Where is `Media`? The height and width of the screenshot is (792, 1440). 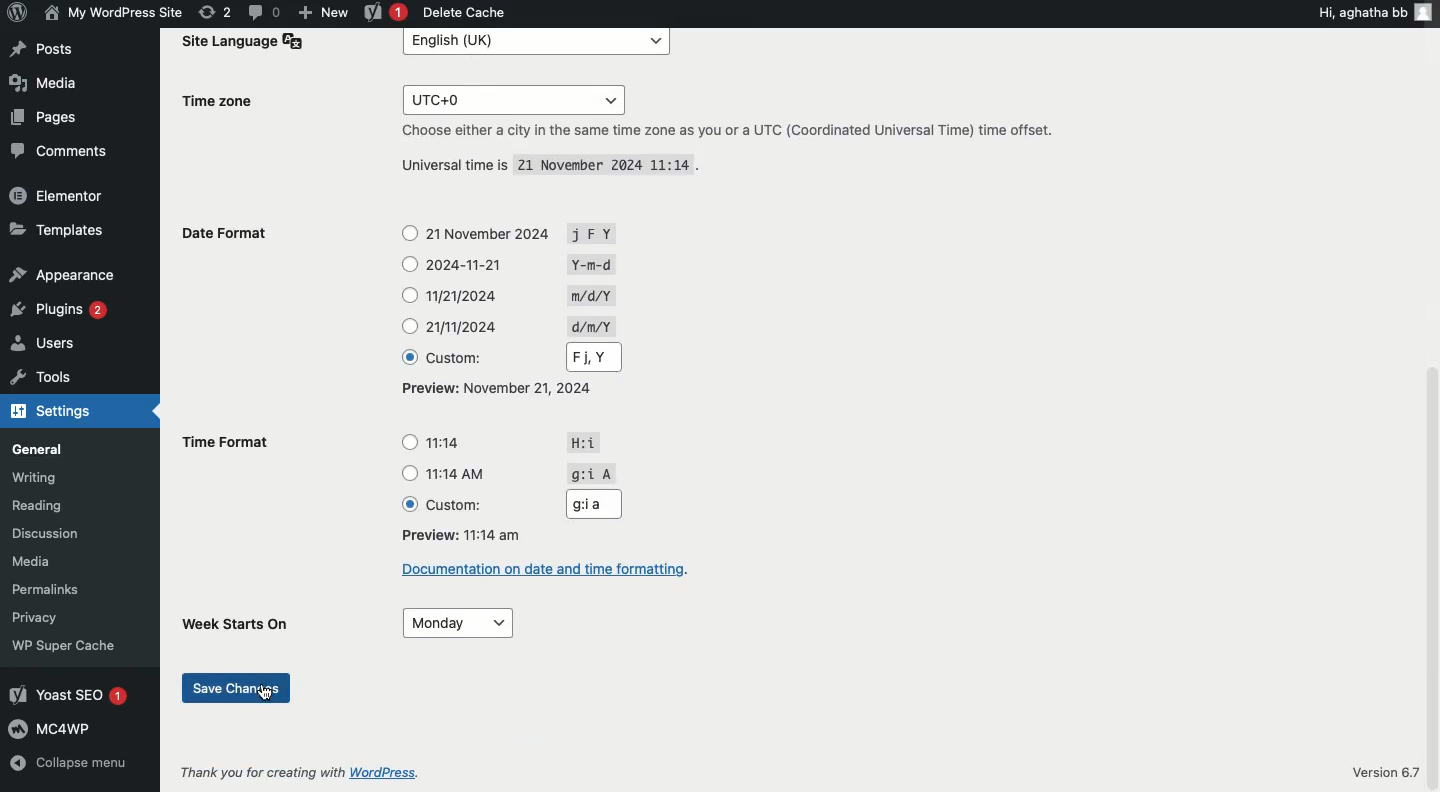
Media is located at coordinates (32, 563).